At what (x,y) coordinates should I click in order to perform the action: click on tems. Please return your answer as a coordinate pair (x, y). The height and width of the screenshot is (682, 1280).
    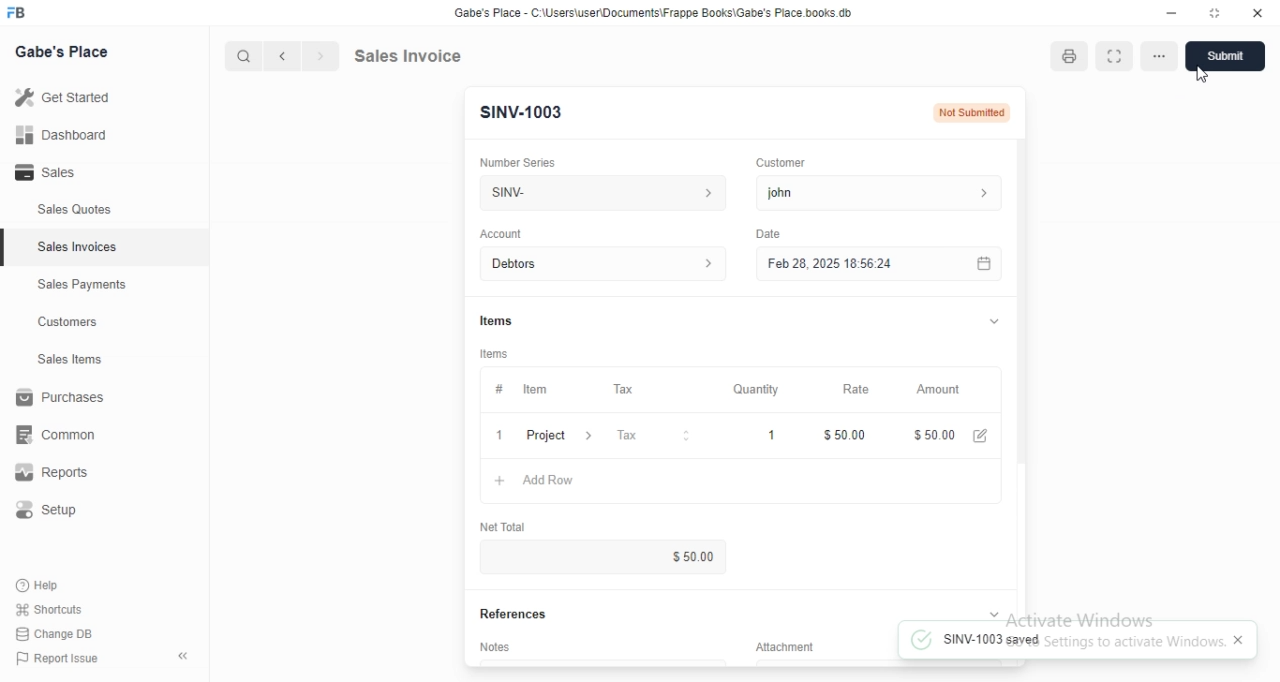
    Looking at the image, I should click on (497, 354).